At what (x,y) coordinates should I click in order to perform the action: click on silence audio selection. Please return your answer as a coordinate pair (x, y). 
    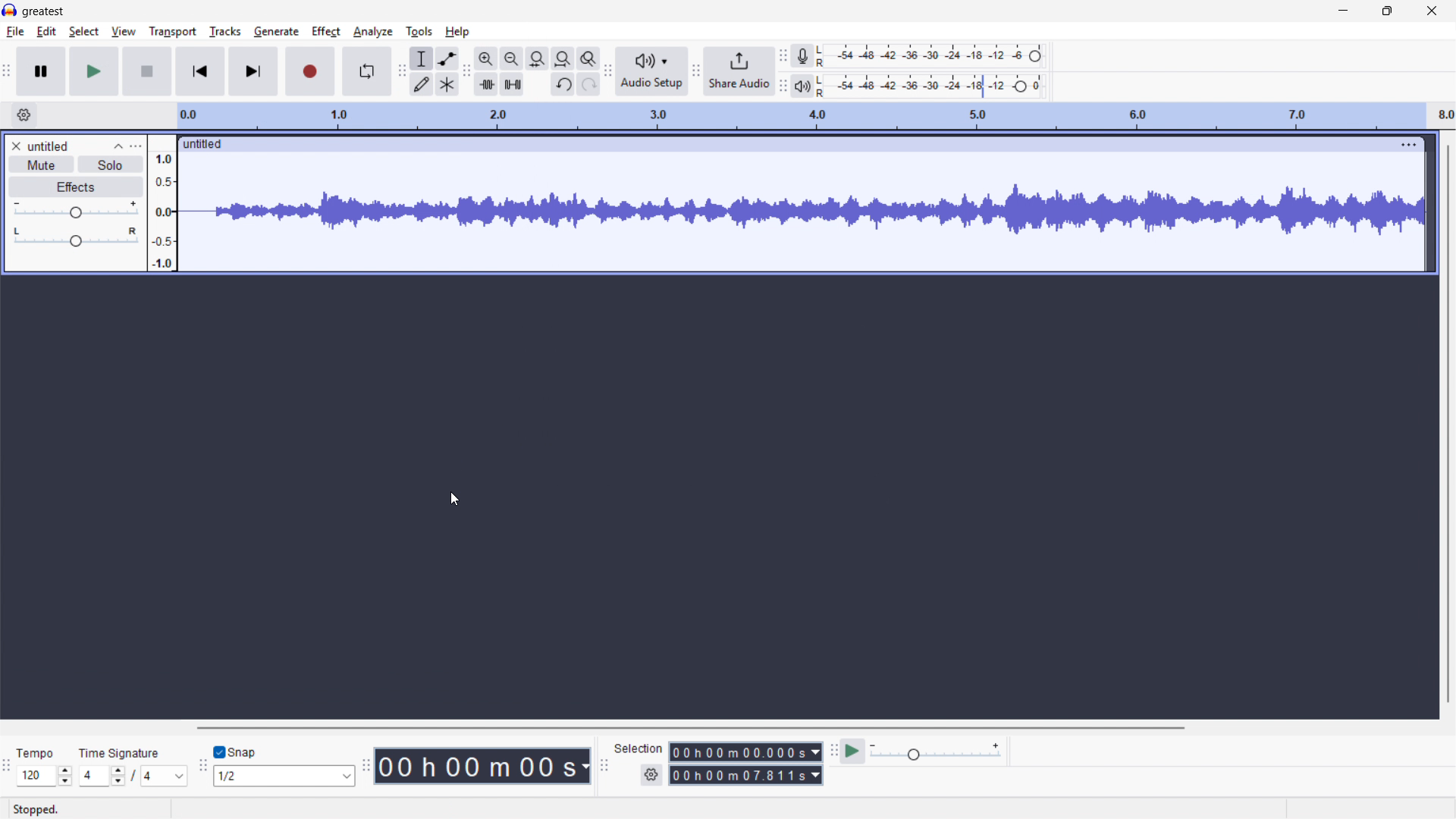
    Looking at the image, I should click on (512, 84).